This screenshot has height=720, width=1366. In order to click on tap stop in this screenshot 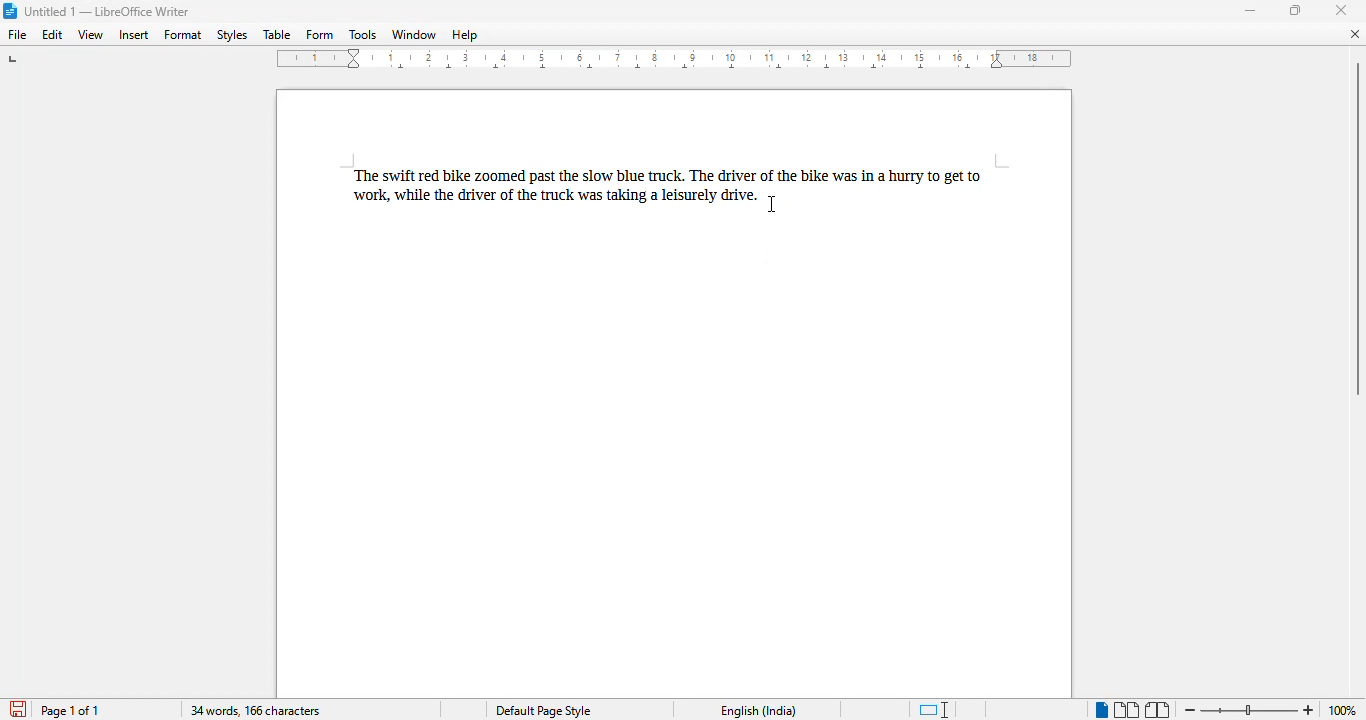, I will do `click(14, 62)`.